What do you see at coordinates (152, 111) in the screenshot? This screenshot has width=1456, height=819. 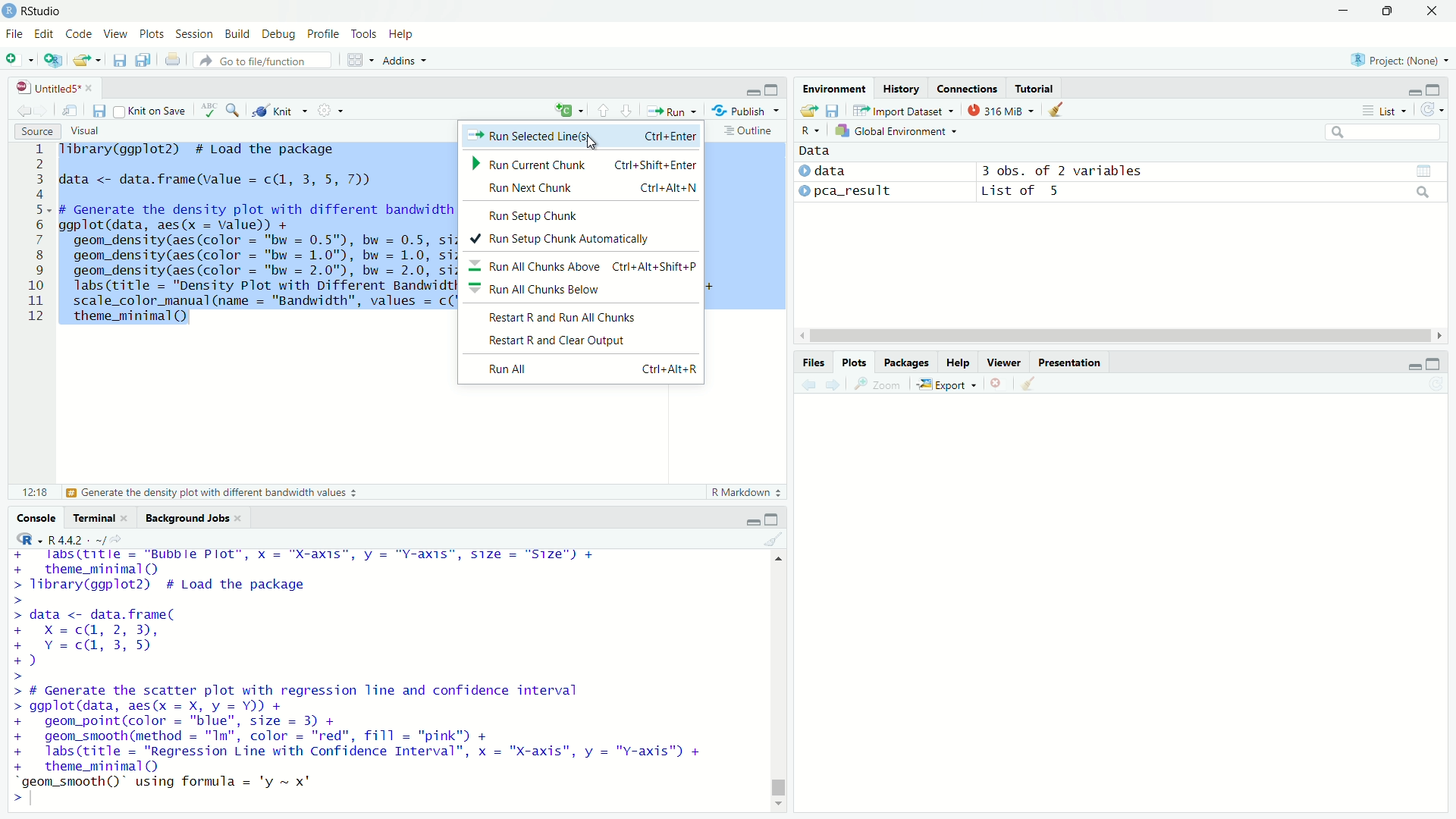 I see `Knit on Save` at bounding box center [152, 111].